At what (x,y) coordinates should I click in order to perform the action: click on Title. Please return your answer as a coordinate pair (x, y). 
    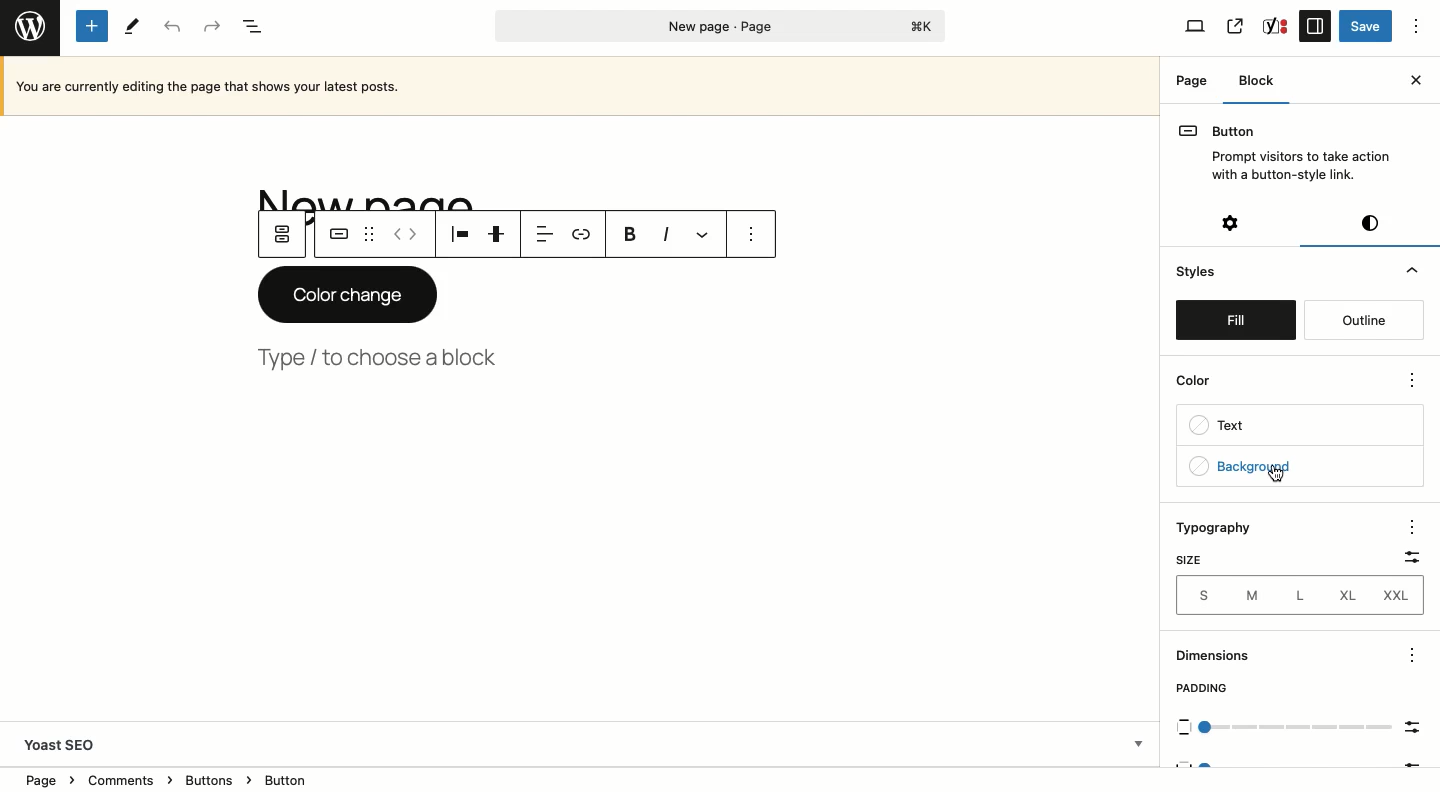
    Looking at the image, I should click on (395, 197).